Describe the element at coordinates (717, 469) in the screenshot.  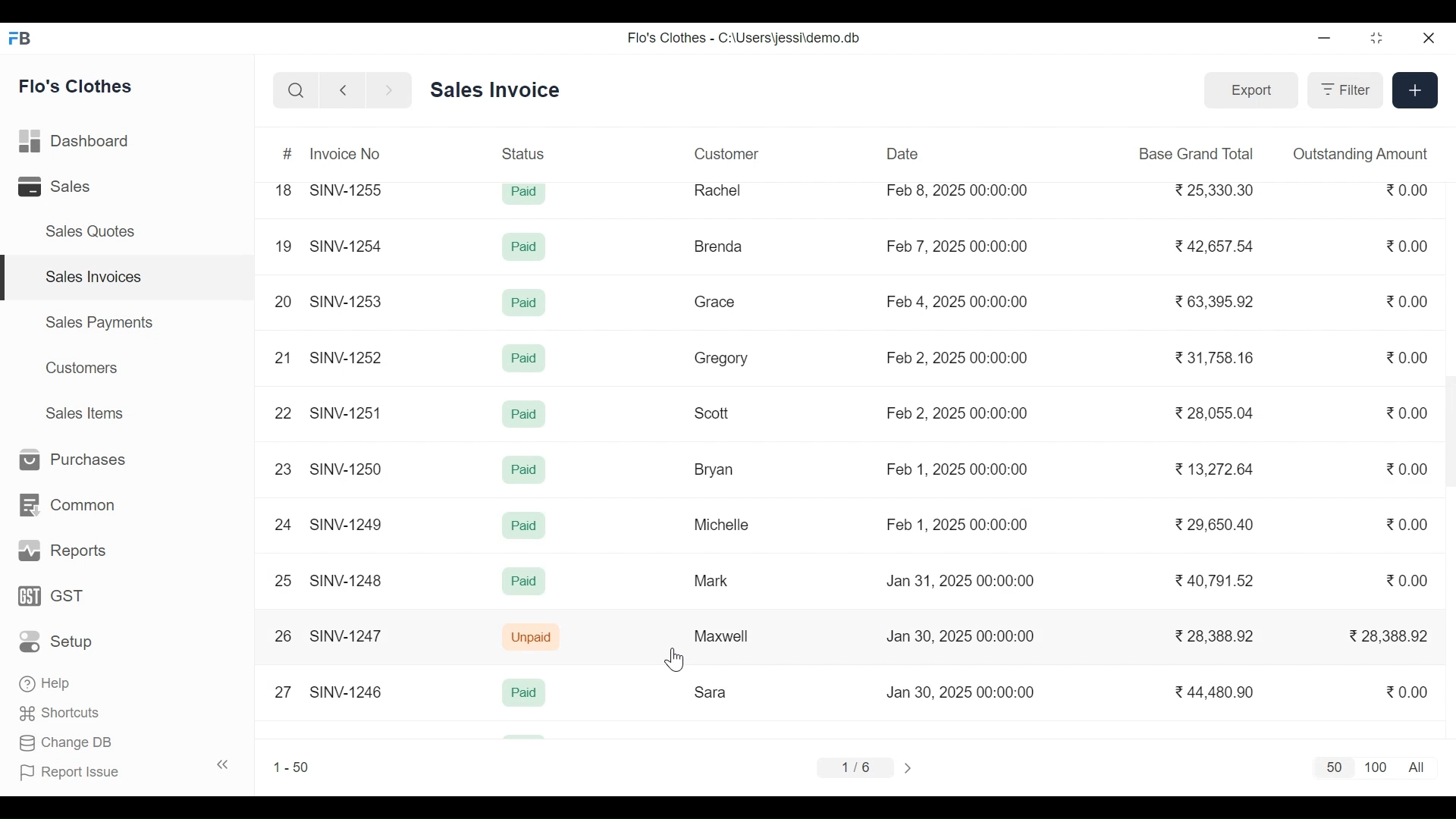
I see `Bryan` at that location.